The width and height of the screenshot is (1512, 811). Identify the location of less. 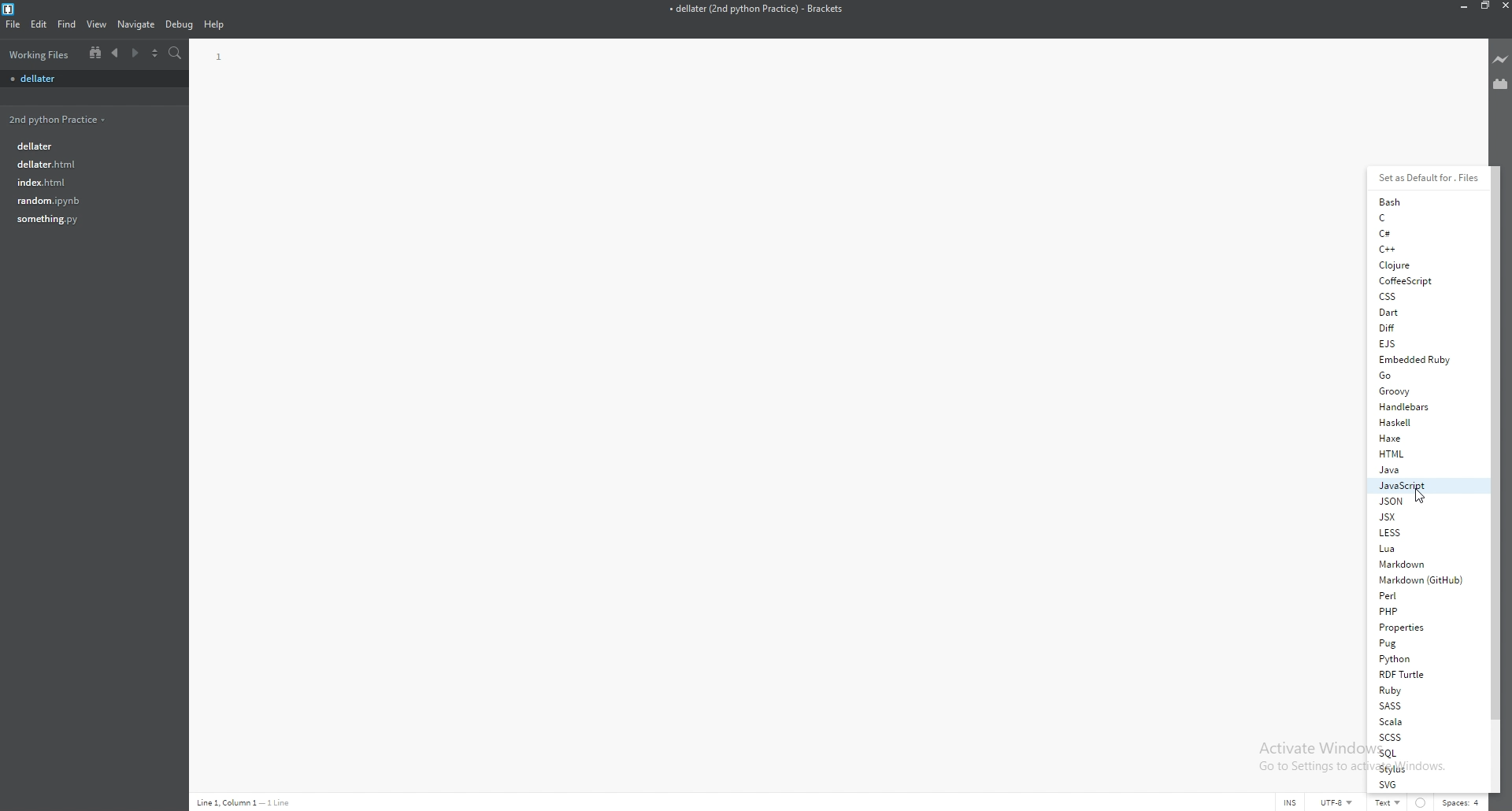
(1424, 532).